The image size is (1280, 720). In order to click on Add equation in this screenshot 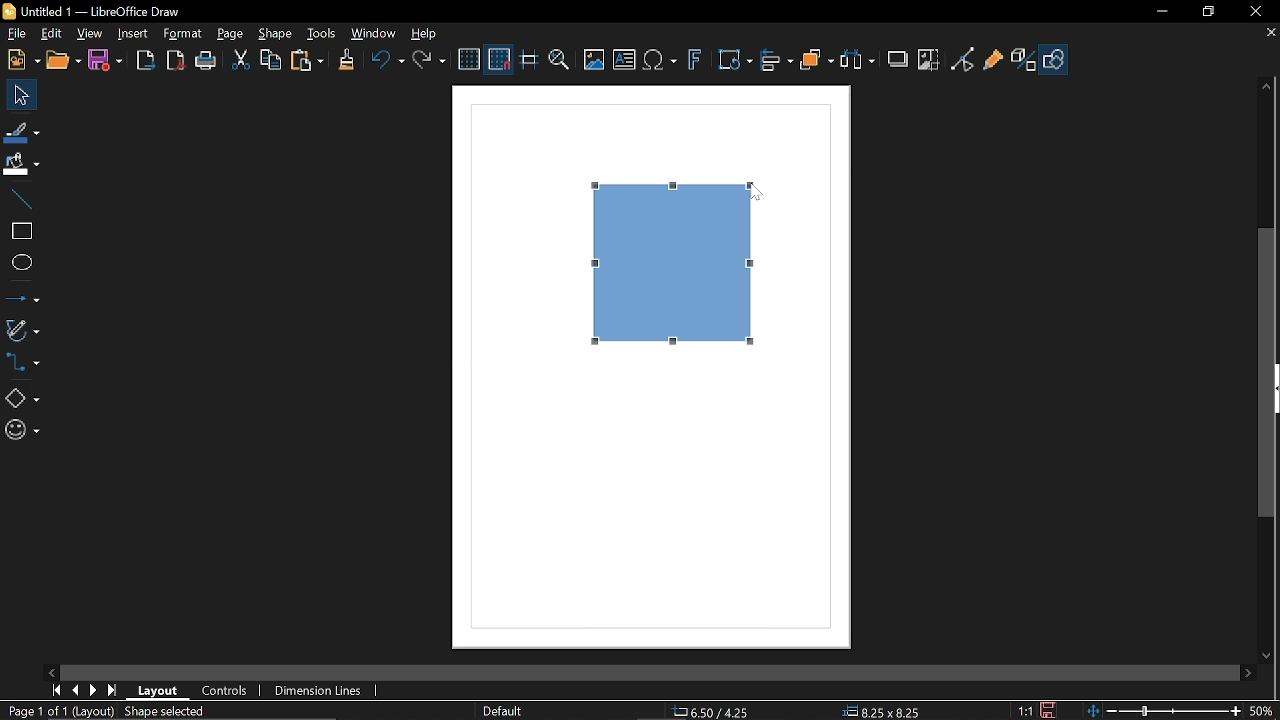, I will do `click(662, 62)`.